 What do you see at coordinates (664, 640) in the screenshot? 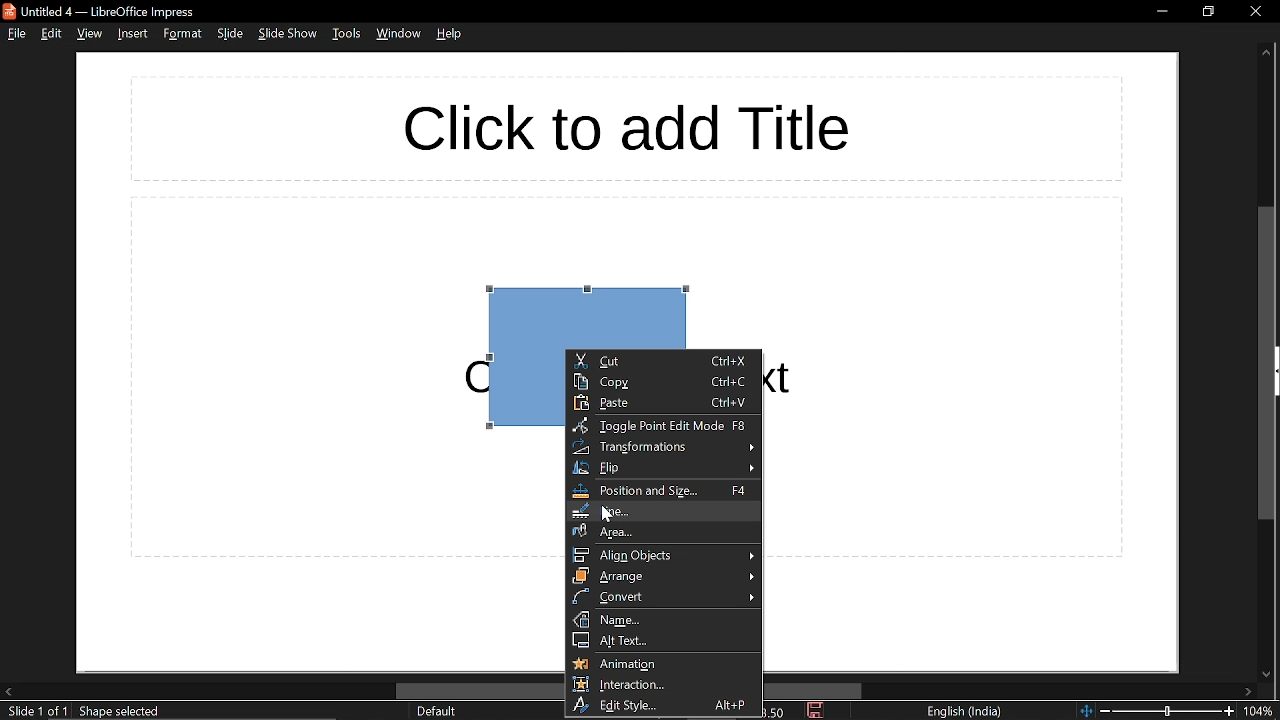
I see `alt text` at bounding box center [664, 640].